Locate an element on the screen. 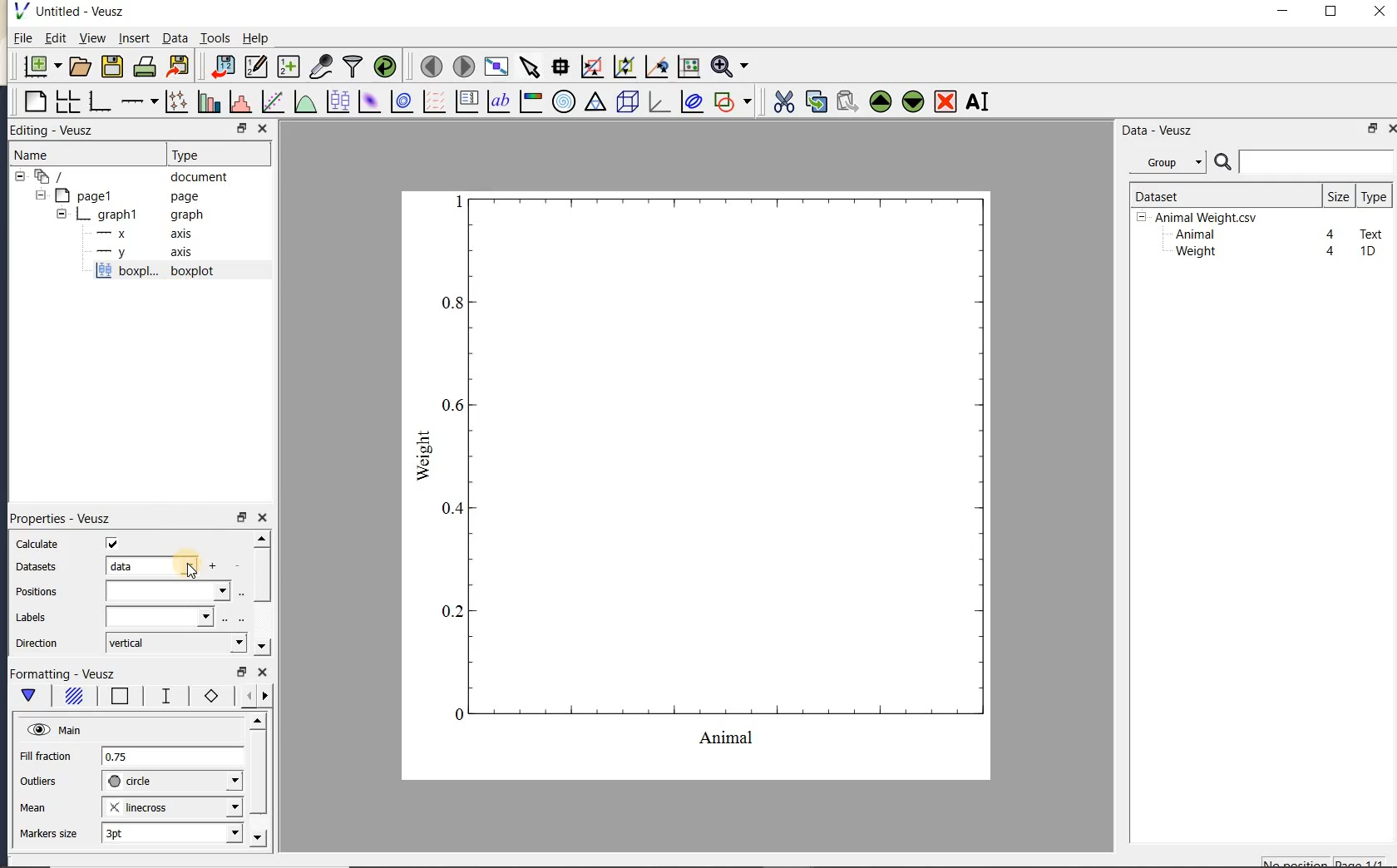 Image resolution: width=1397 pixels, height=868 pixels. graph is located at coordinates (698, 484).